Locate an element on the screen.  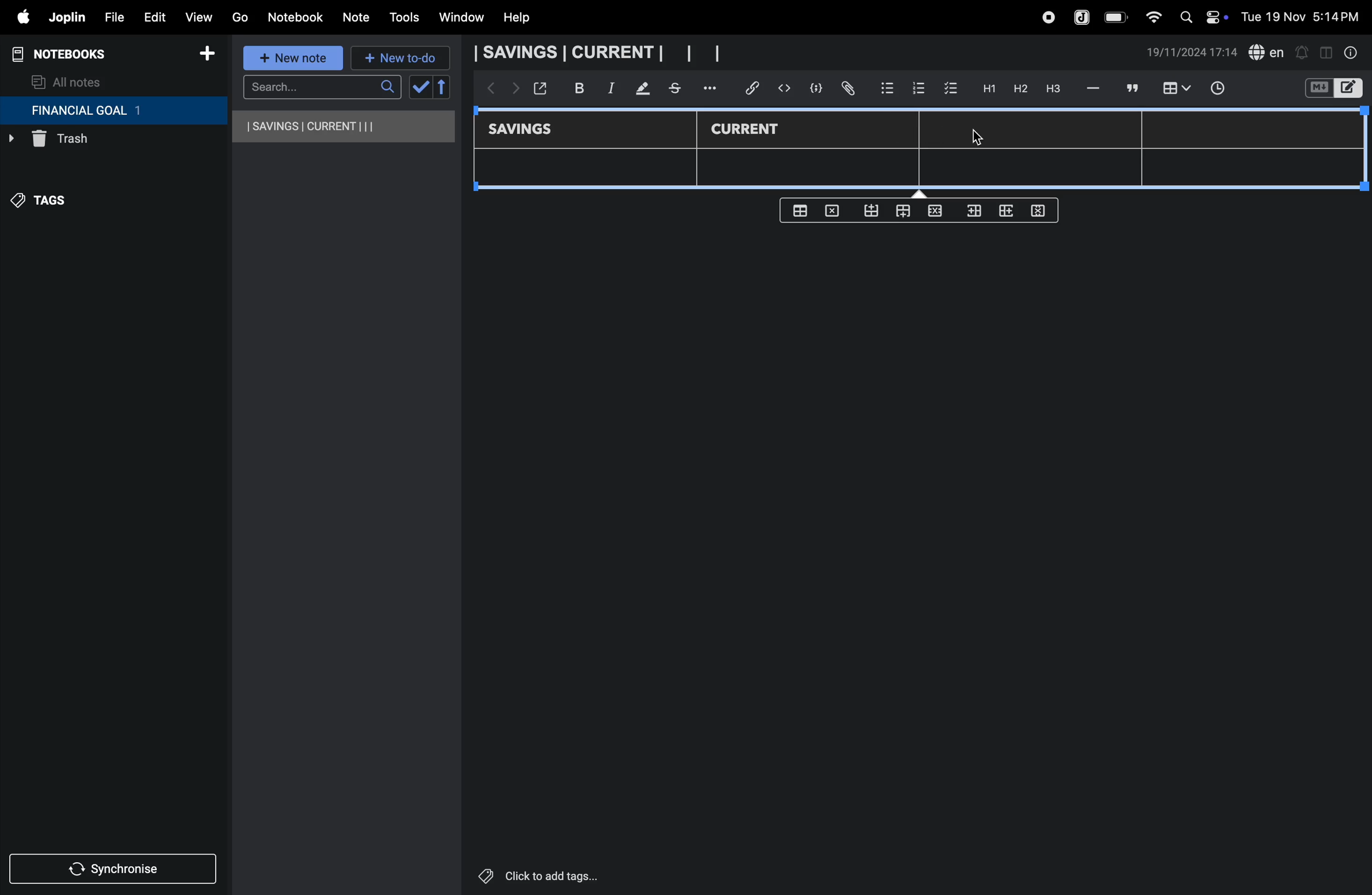
add is located at coordinates (207, 55).